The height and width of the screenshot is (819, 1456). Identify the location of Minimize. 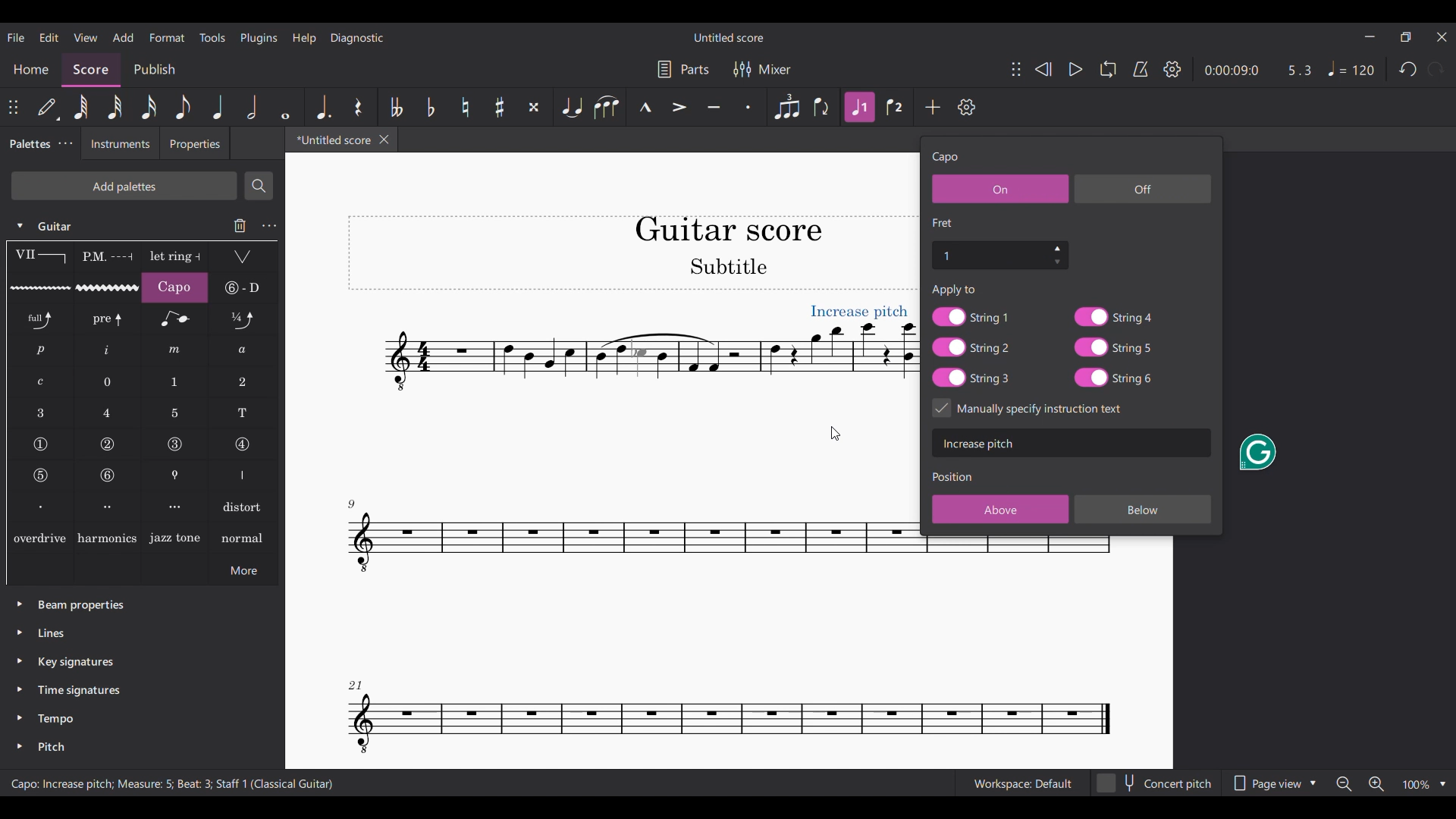
(1370, 36).